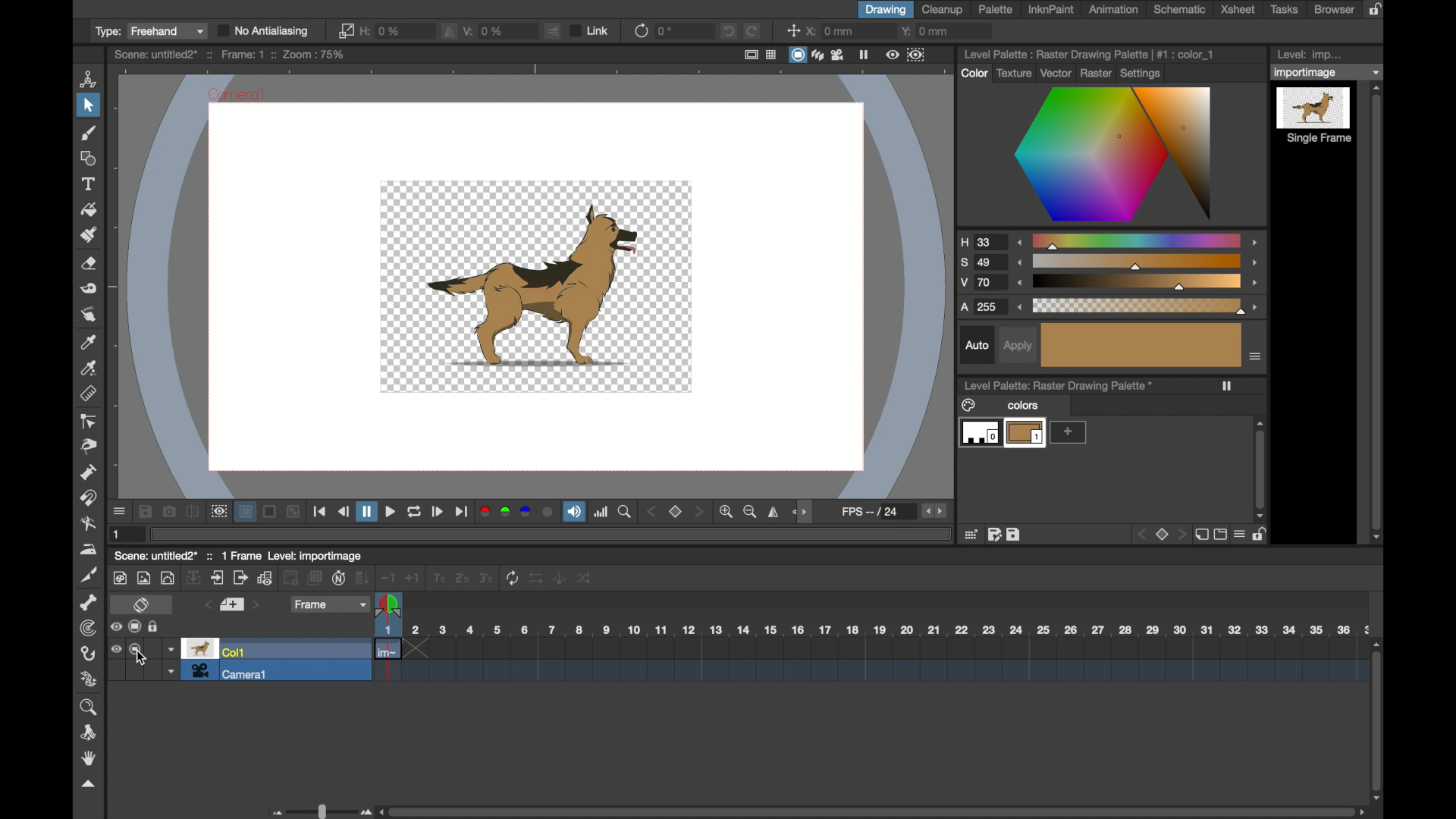 The image size is (1456, 819). I want to click on rgbpicker tool, so click(89, 369).